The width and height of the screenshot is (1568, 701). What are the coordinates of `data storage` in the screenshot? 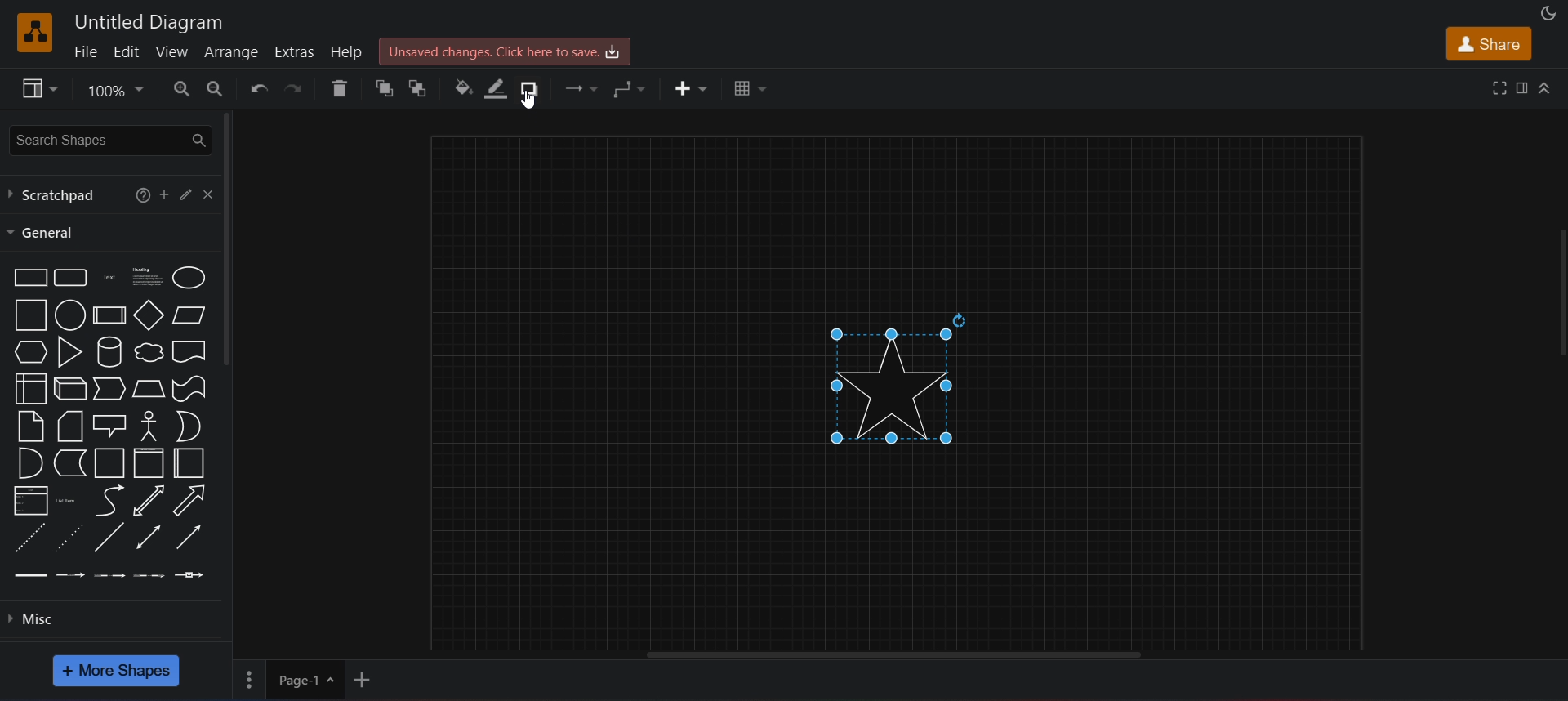 It's located at (68, 462).